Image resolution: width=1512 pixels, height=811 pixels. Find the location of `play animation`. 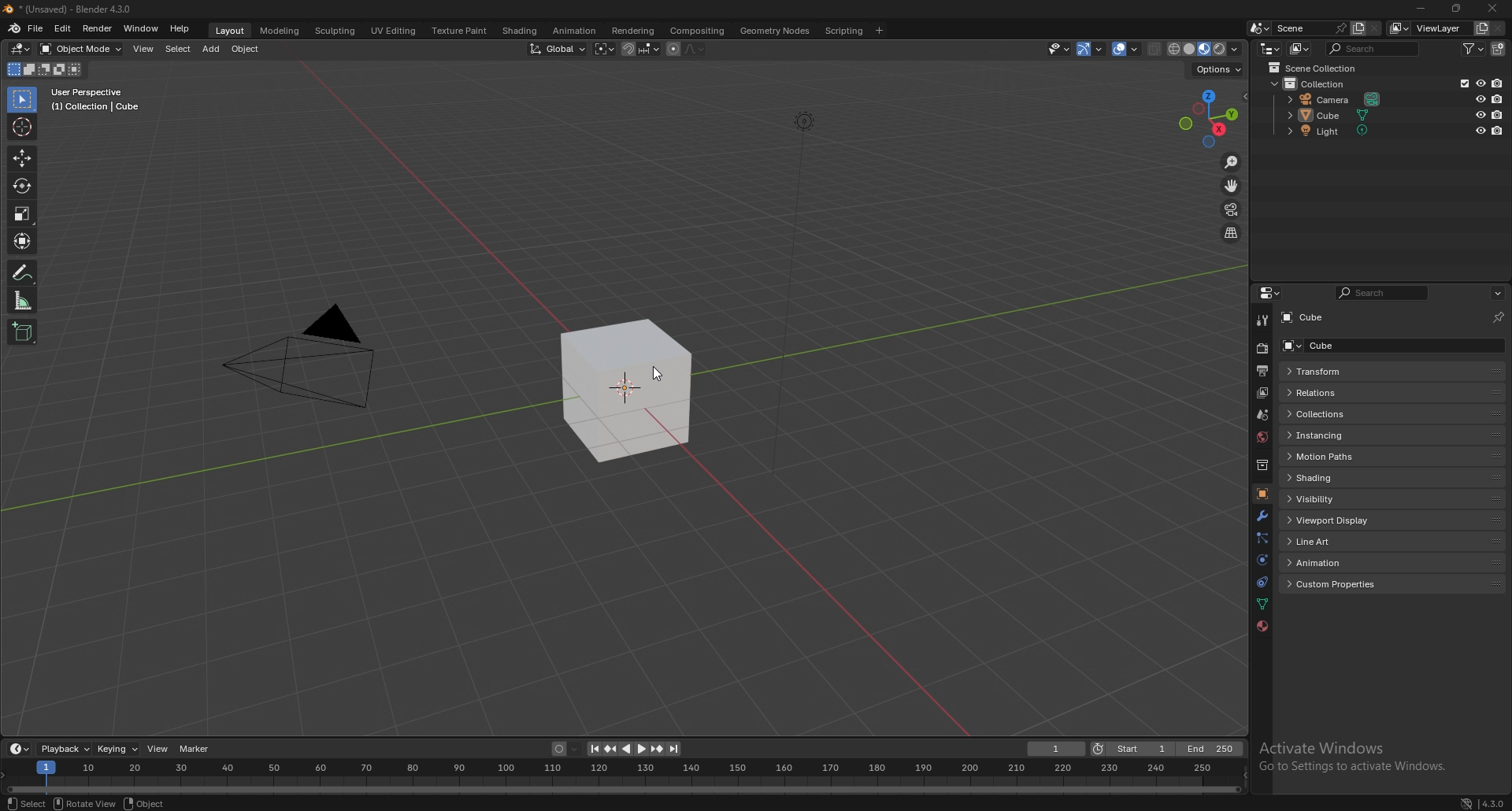

play animation is located at coordinates (635, 749).